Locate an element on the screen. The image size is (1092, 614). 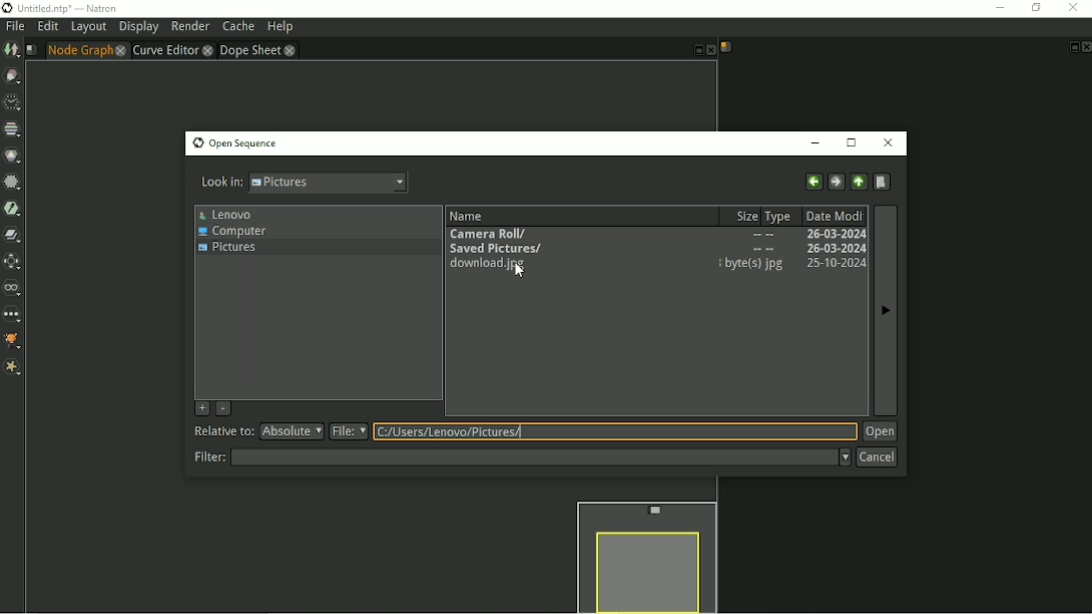
Go forward is located at coordinates (835, 182).